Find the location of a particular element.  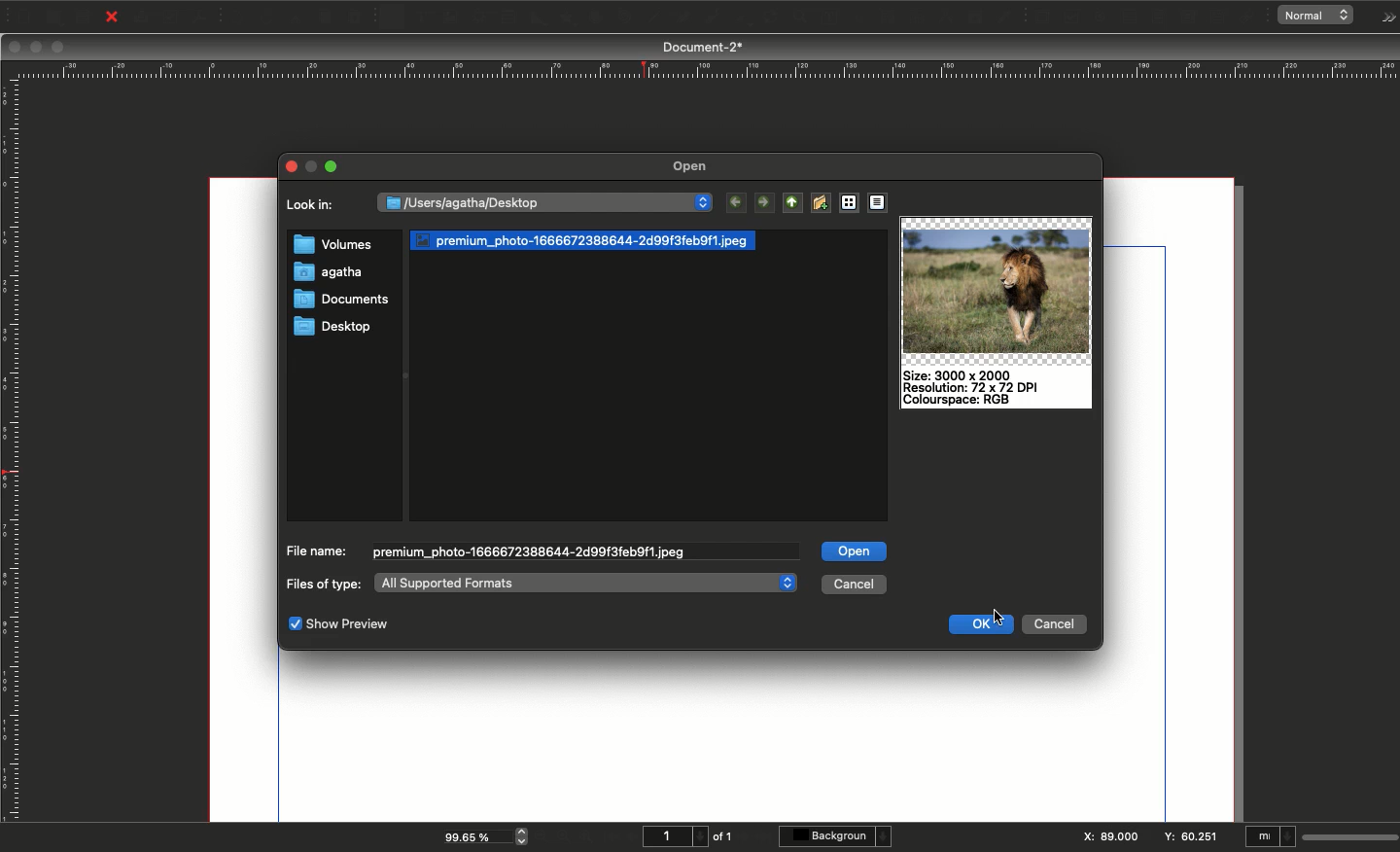

Edit text with story editor is located at coordinates (841, 18).